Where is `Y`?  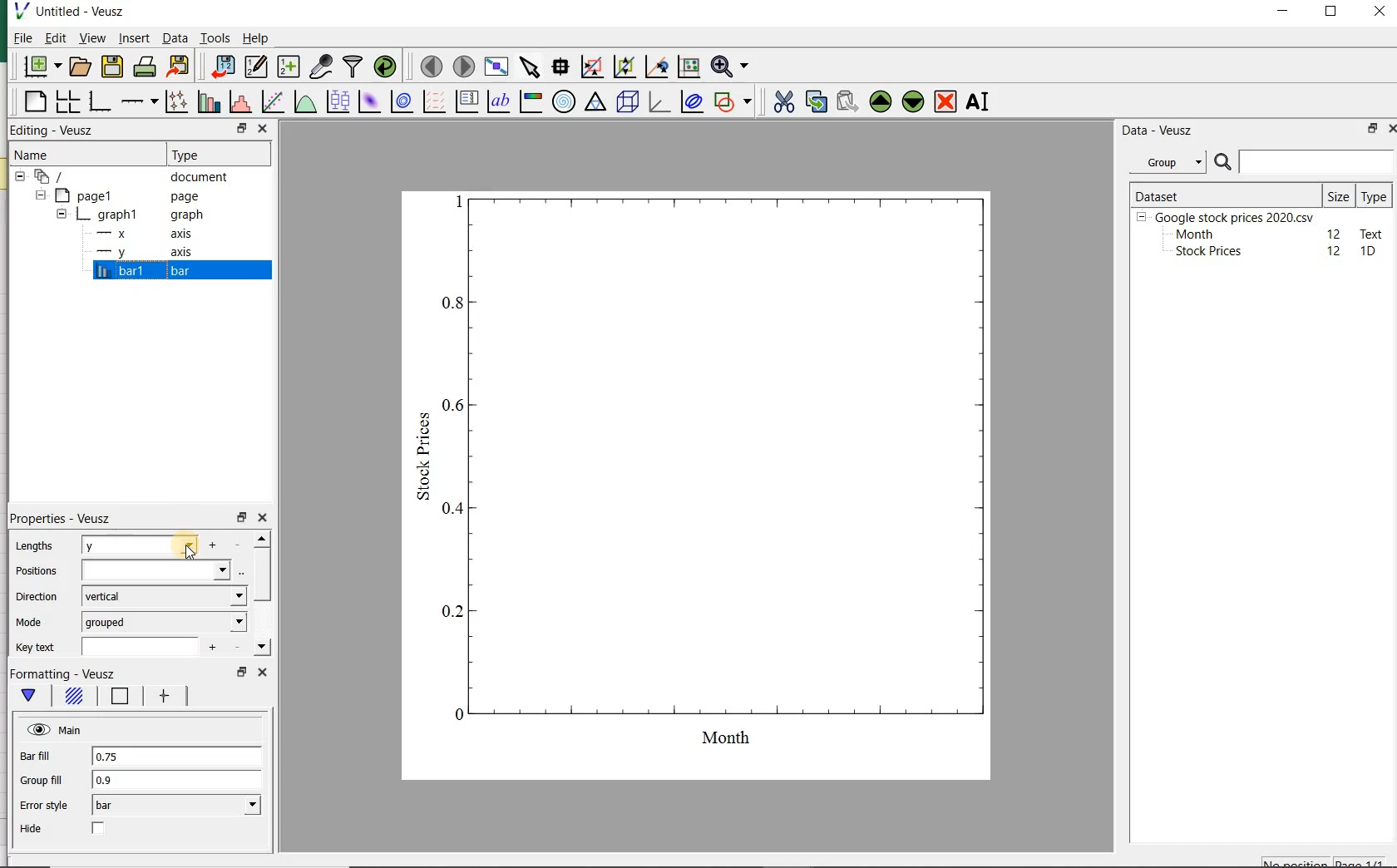 Y is located at coordinates (140, 545).